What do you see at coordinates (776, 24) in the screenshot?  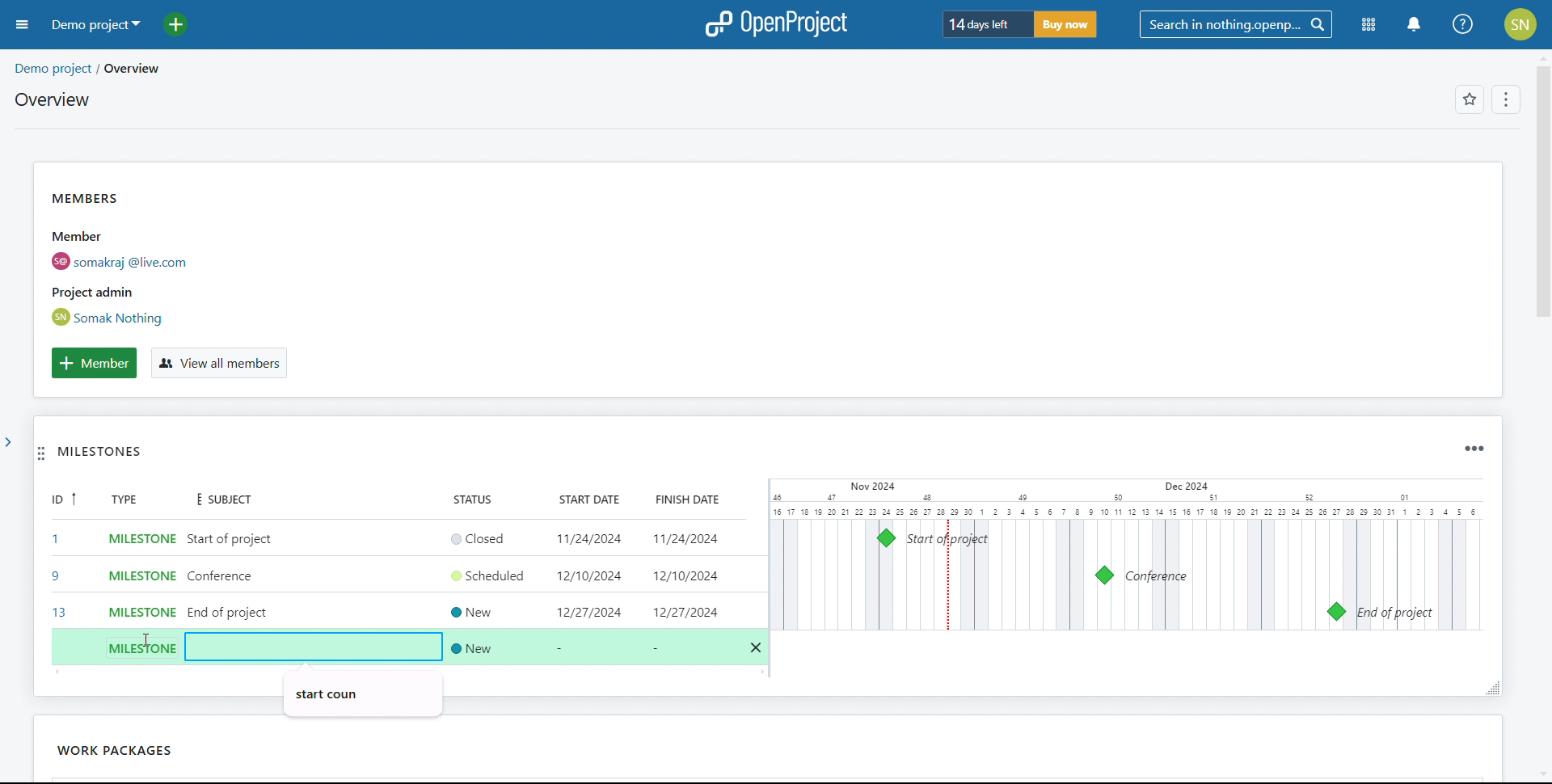 I see `logo` at bounding box center [776, 24].